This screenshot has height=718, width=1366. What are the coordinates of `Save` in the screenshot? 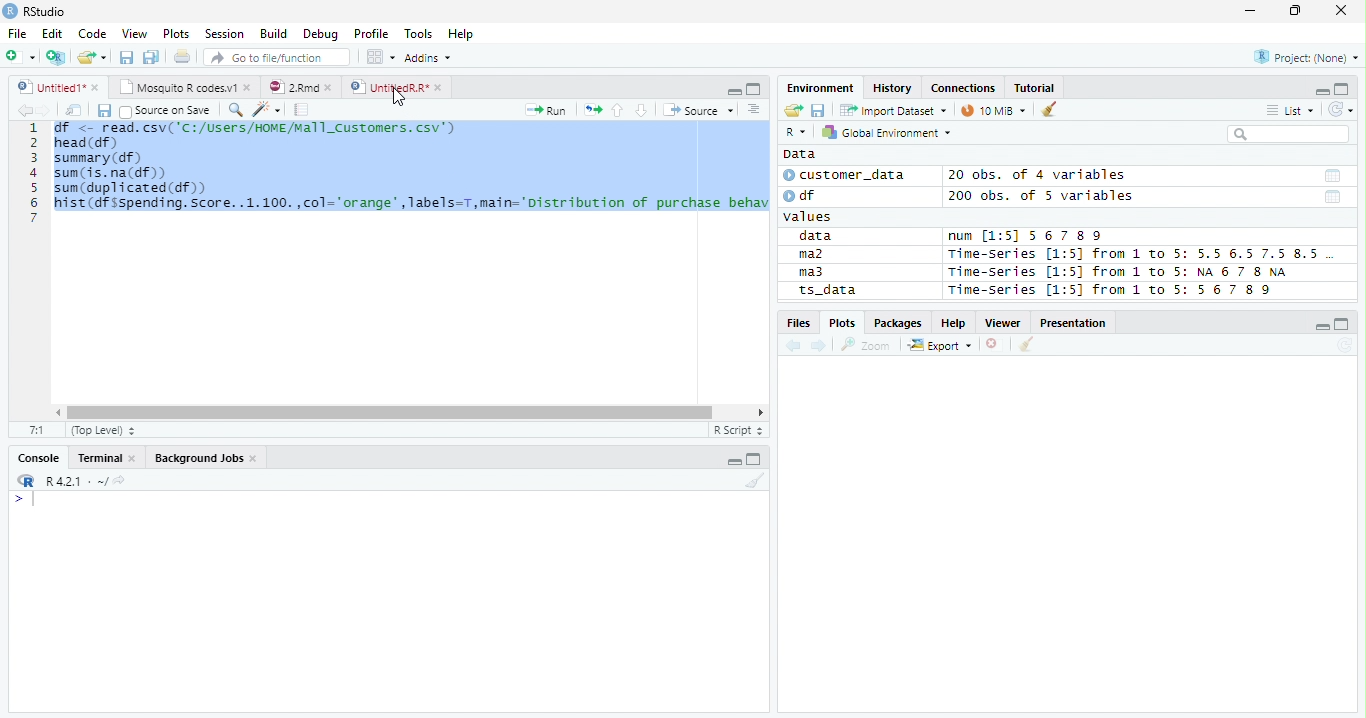 It's located at (126, 56).